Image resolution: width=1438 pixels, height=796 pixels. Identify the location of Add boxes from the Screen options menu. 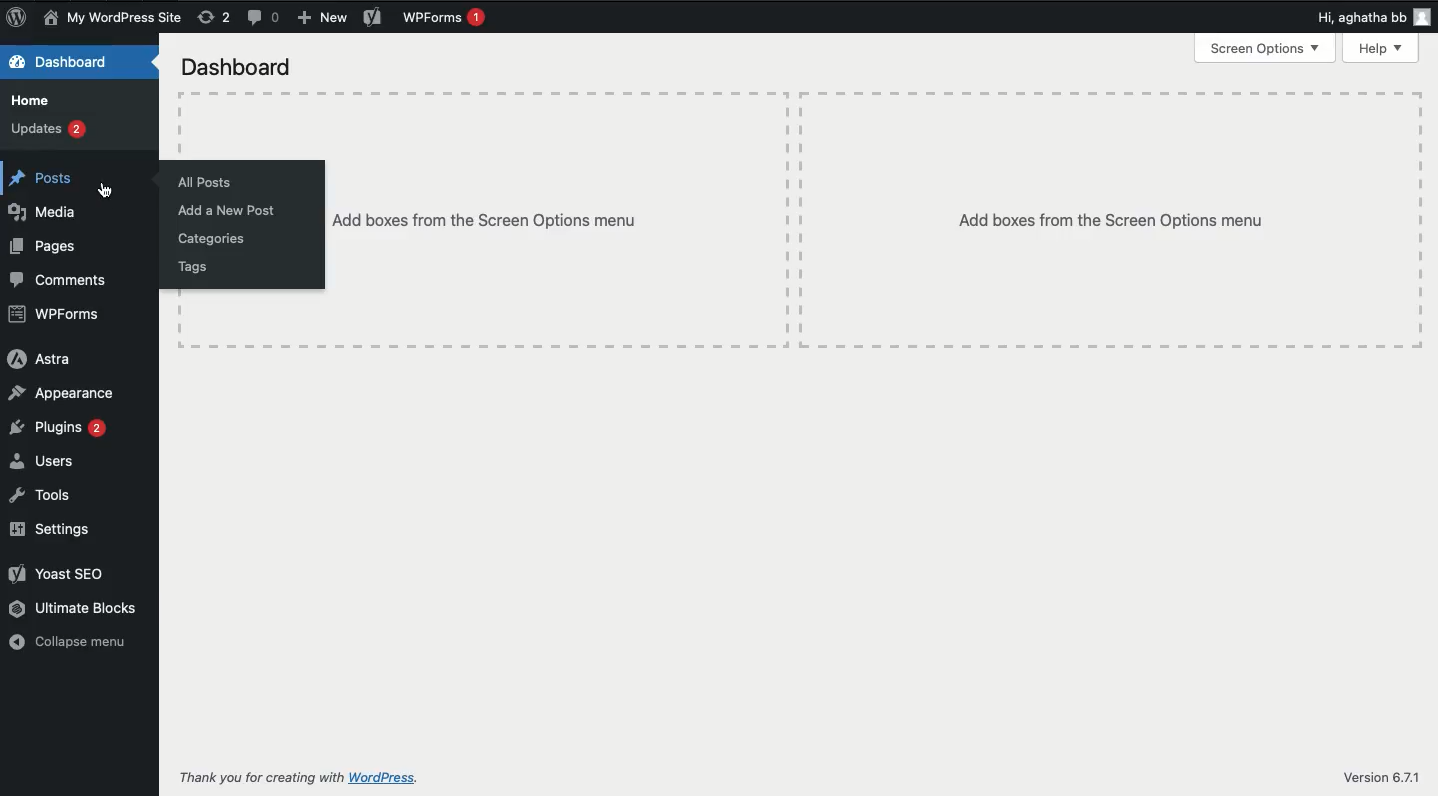
(1112, 220).